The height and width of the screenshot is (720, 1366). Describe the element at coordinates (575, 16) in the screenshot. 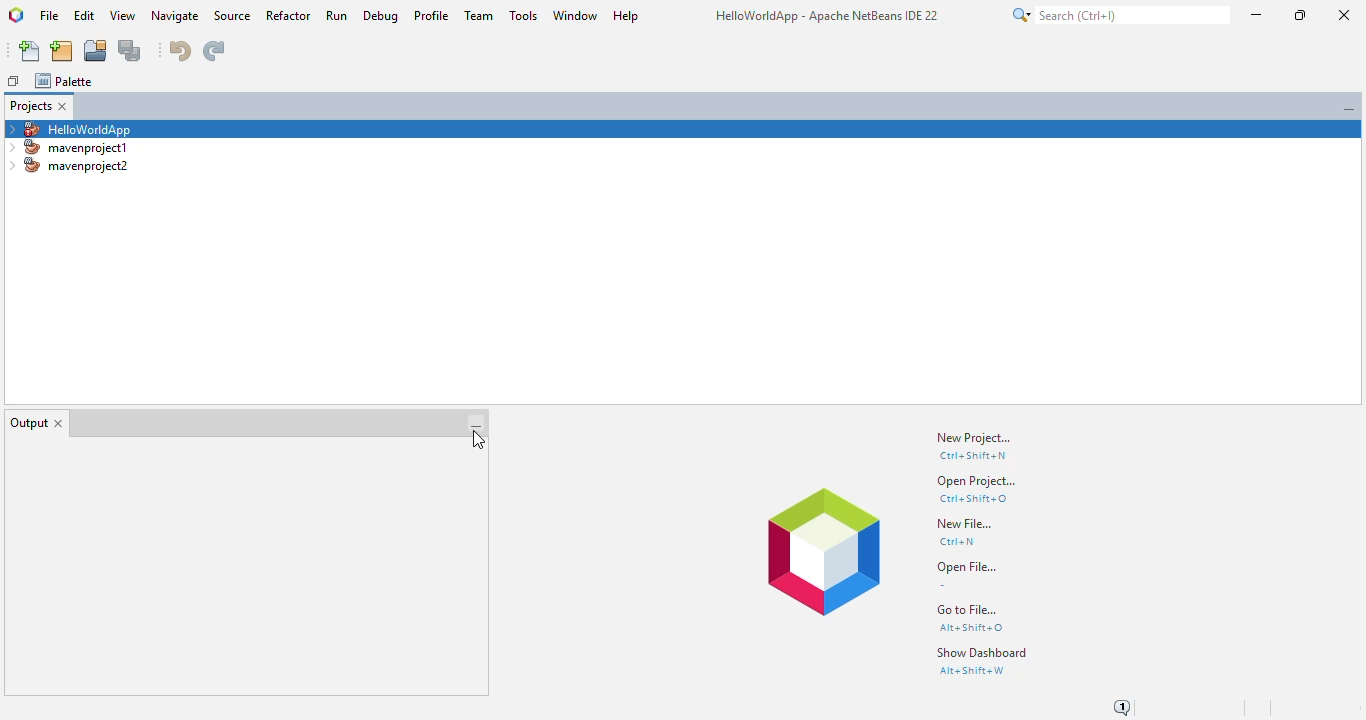

I see `window` at that location.